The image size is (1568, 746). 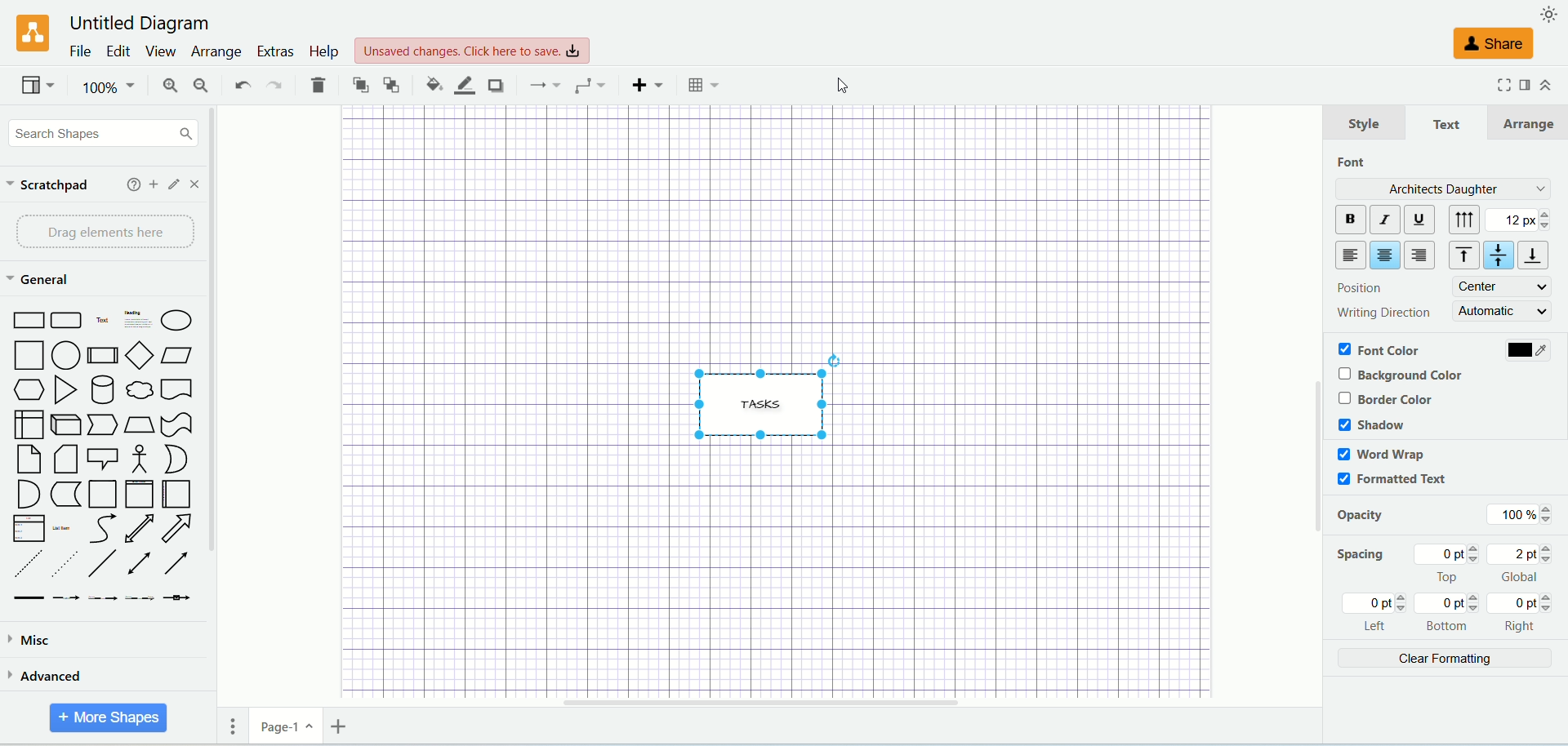 I want to click on shadow, so click(x=1373, y=424).